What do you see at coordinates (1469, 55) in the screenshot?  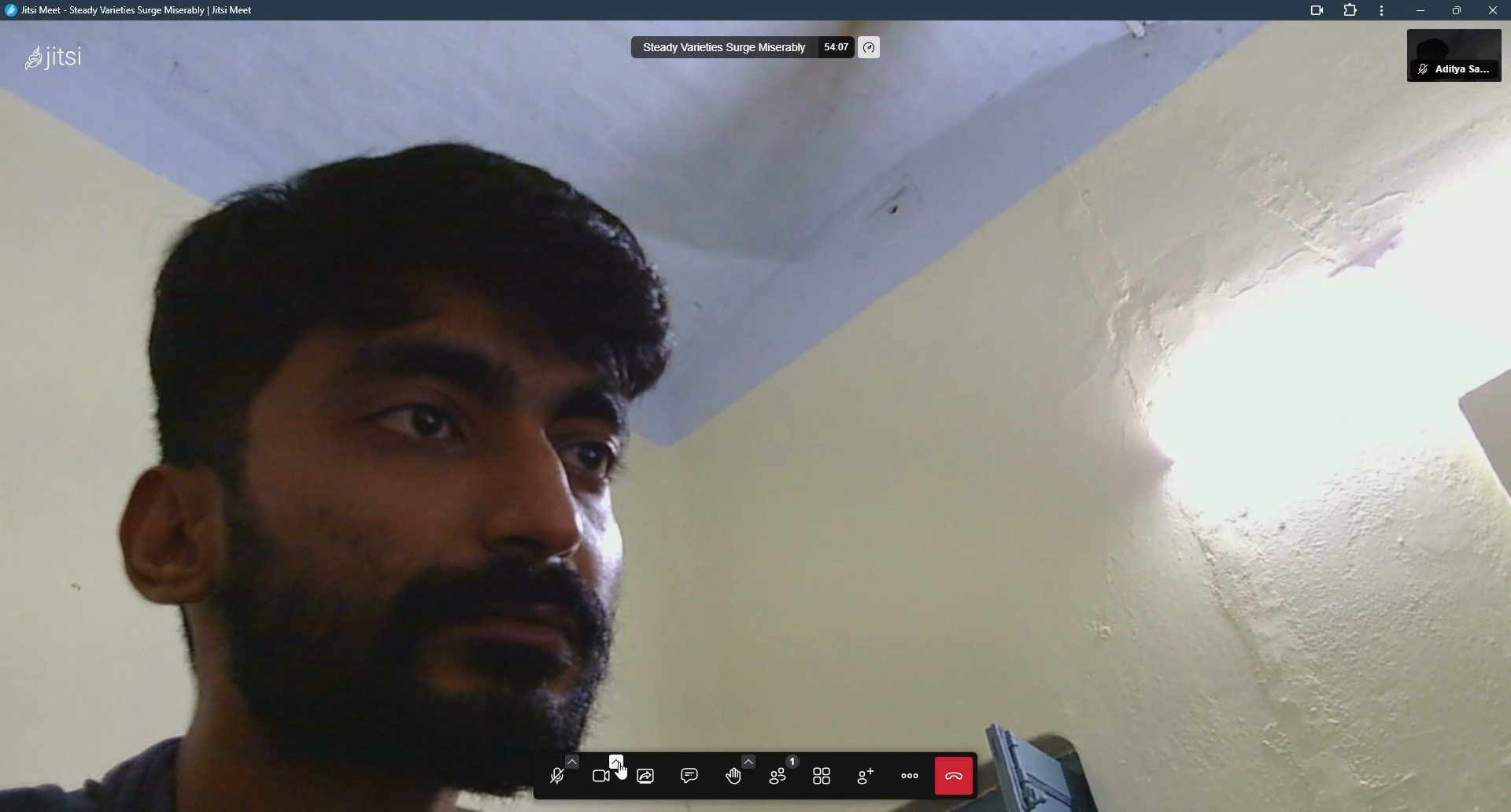 I see `profile` at bounding box center [1469, 55].